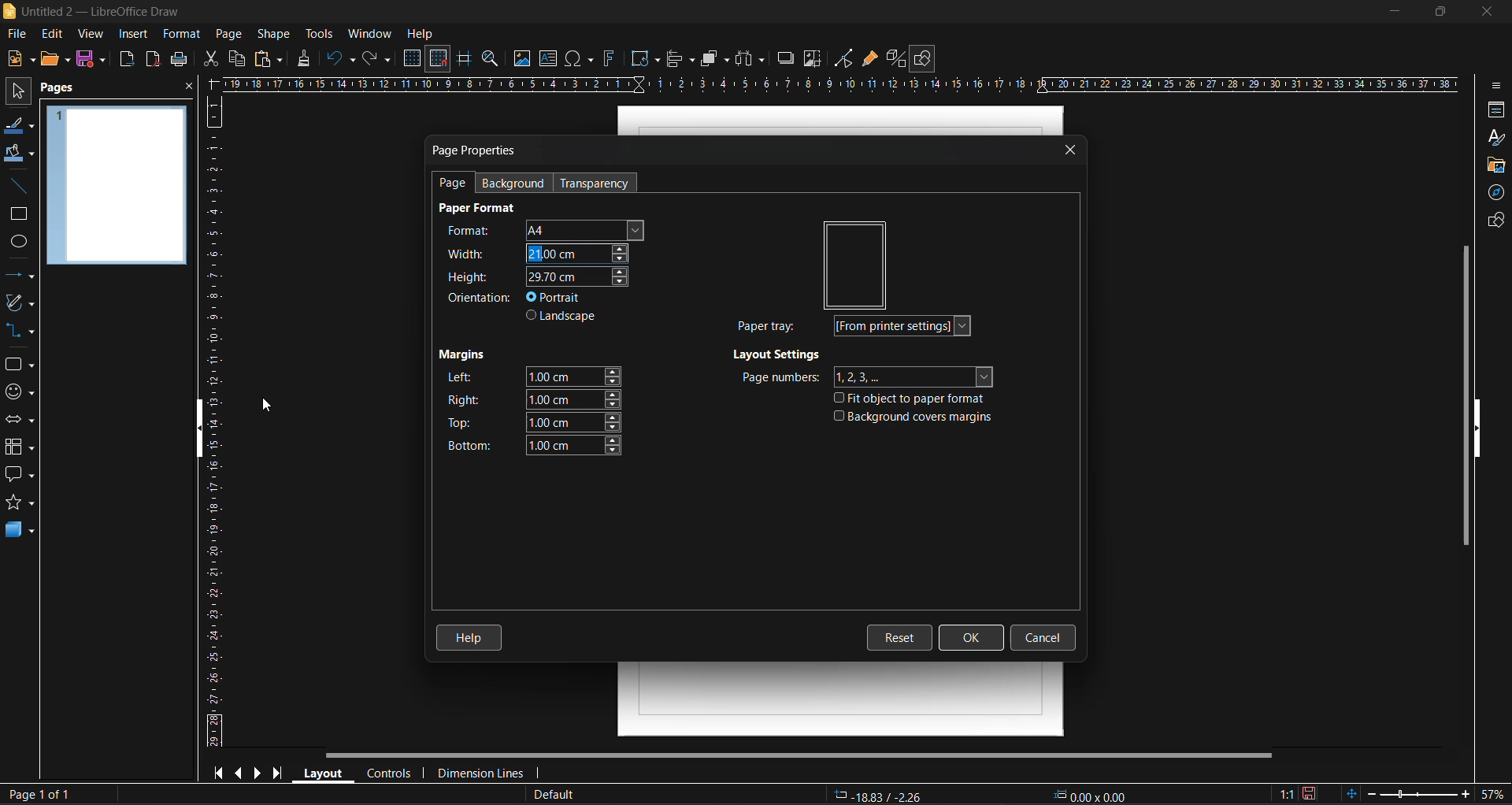 Image resolution: width=1512 pixels, height=805 pixels. What do you see at coordinates (865, 377) in the screenshot?
I see `page numbers` at bounding box center [865, 377].